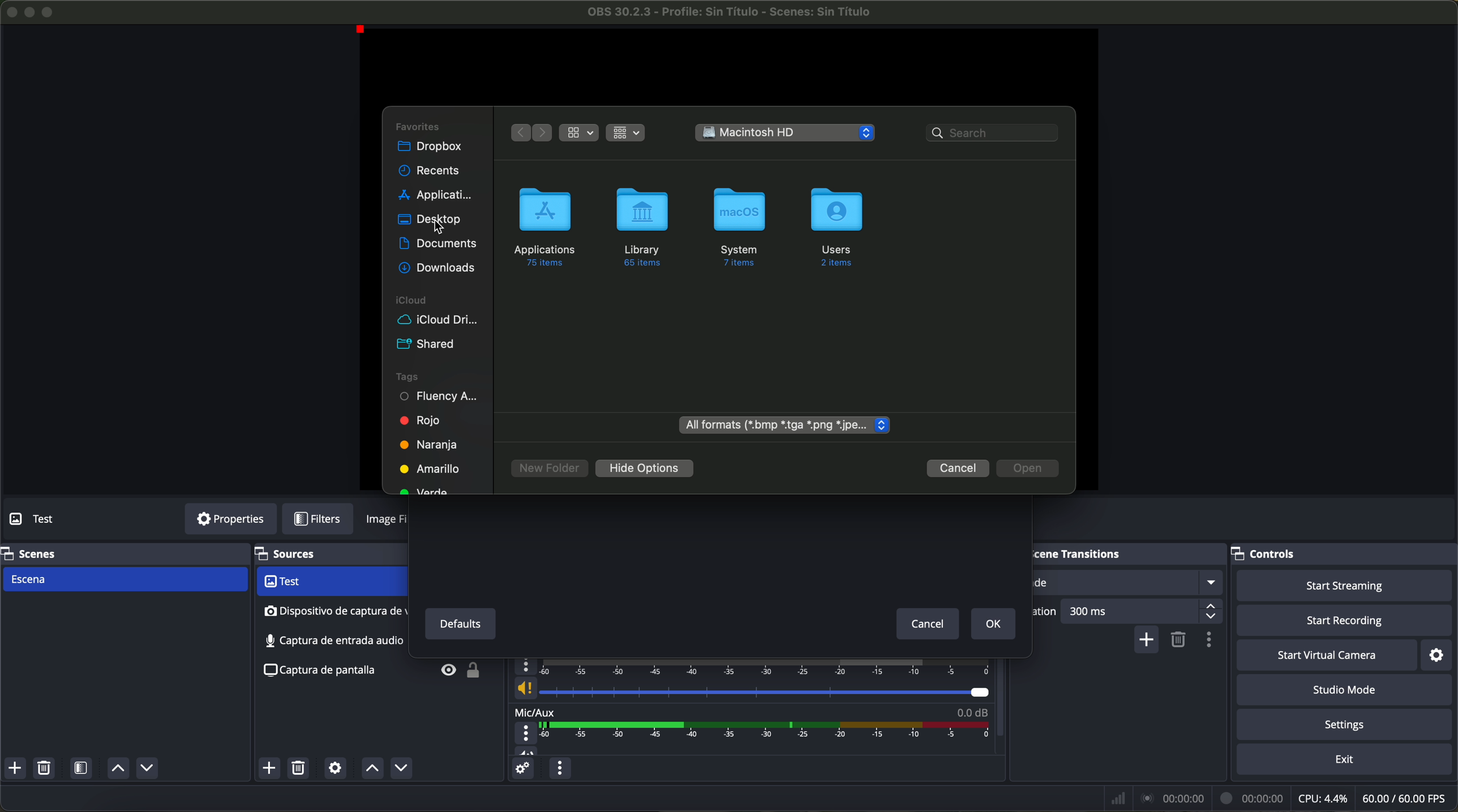 The height and width of the screenshot is (812, 1458). Describe the element at coordinates (993, 625) in the screenshot. I see `OK` at that location.